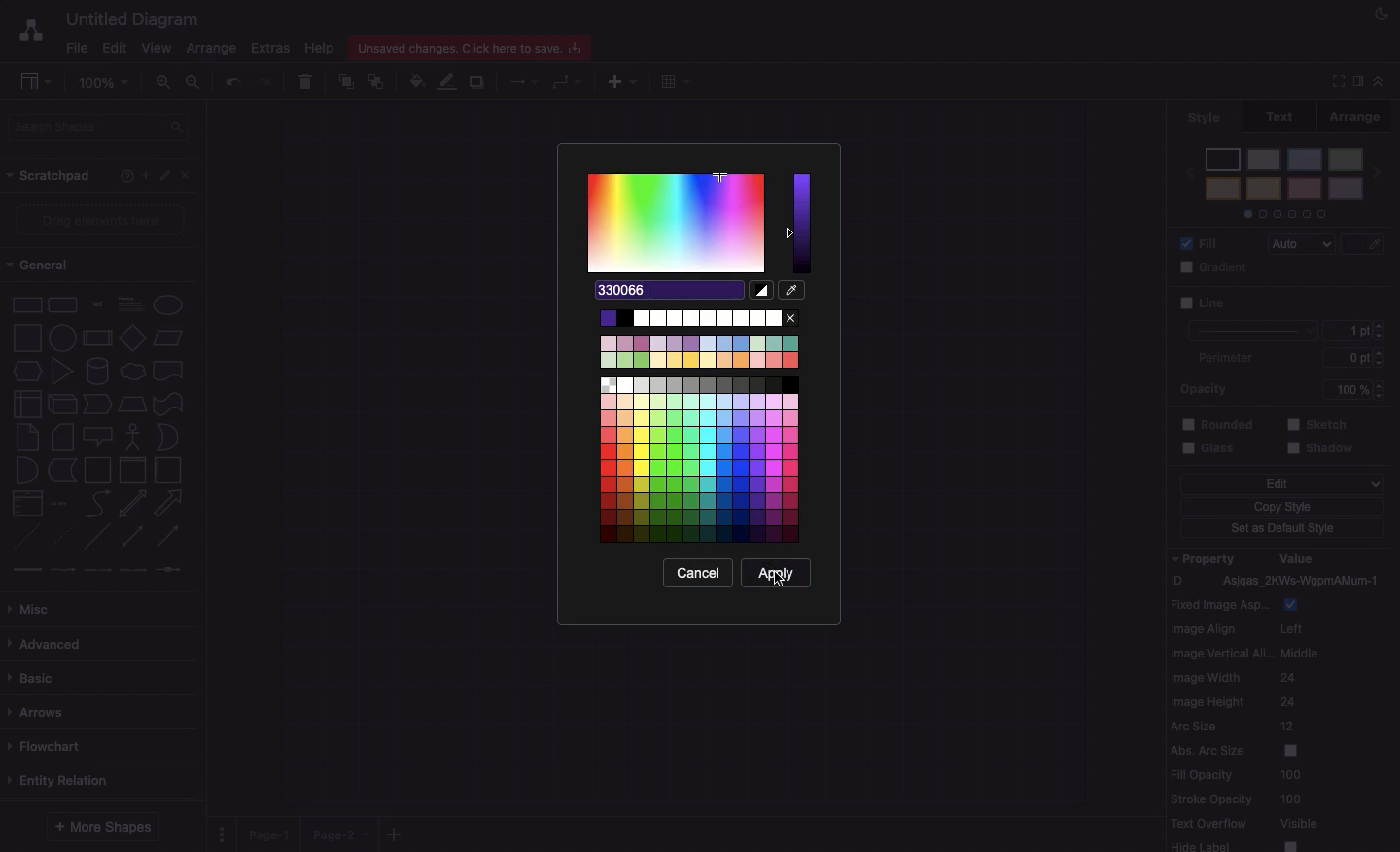 This screenshot has height=852, width=1400. What do you see at coordinates (158, 47) in the screenshot?
I see `View` at bounding box center [158, 47].